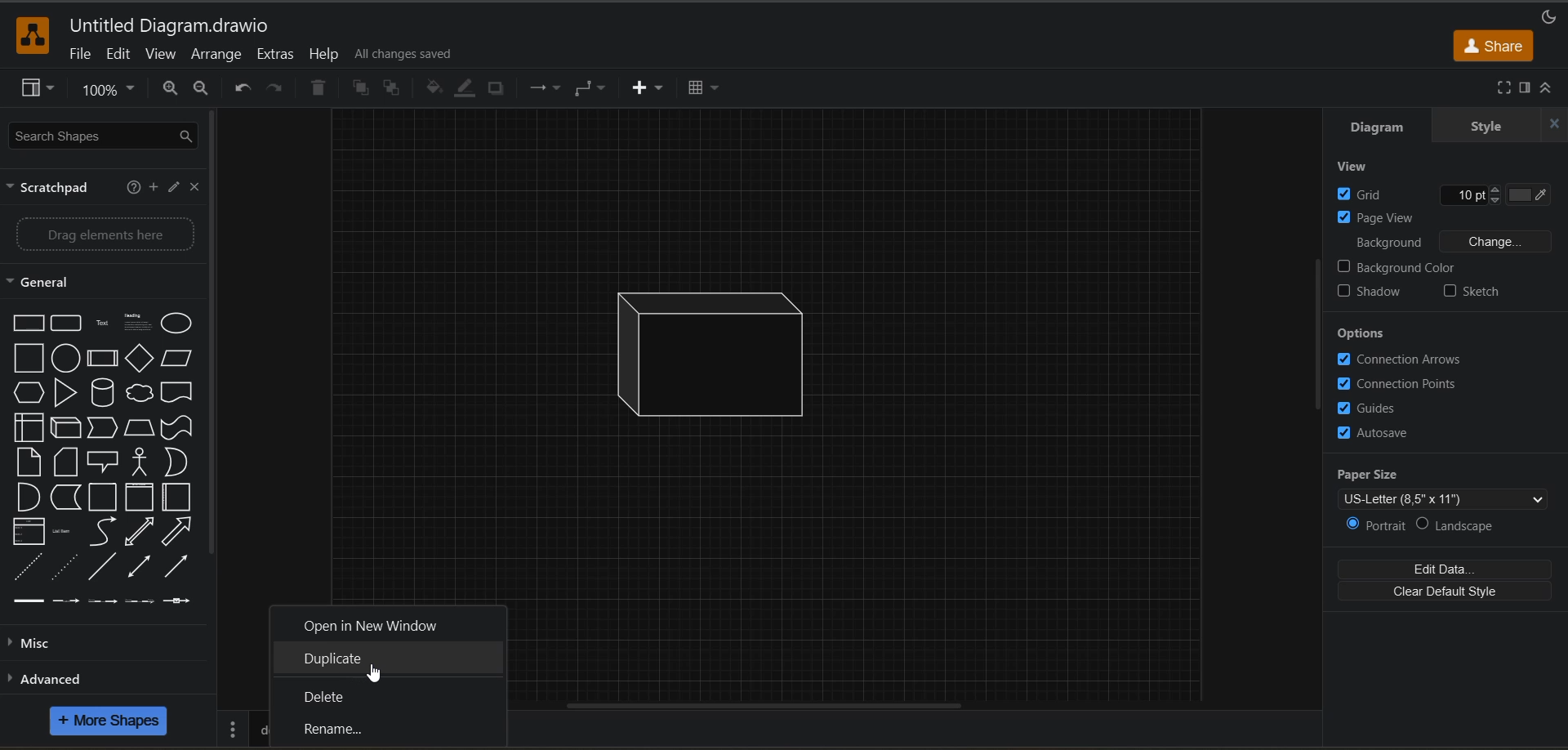 This screenshot has width=1568, height=750. What do you see at coordinates (764, 706) in the screenshot?
I see `horizontal scroll bar` at bounding box center [764, 706].